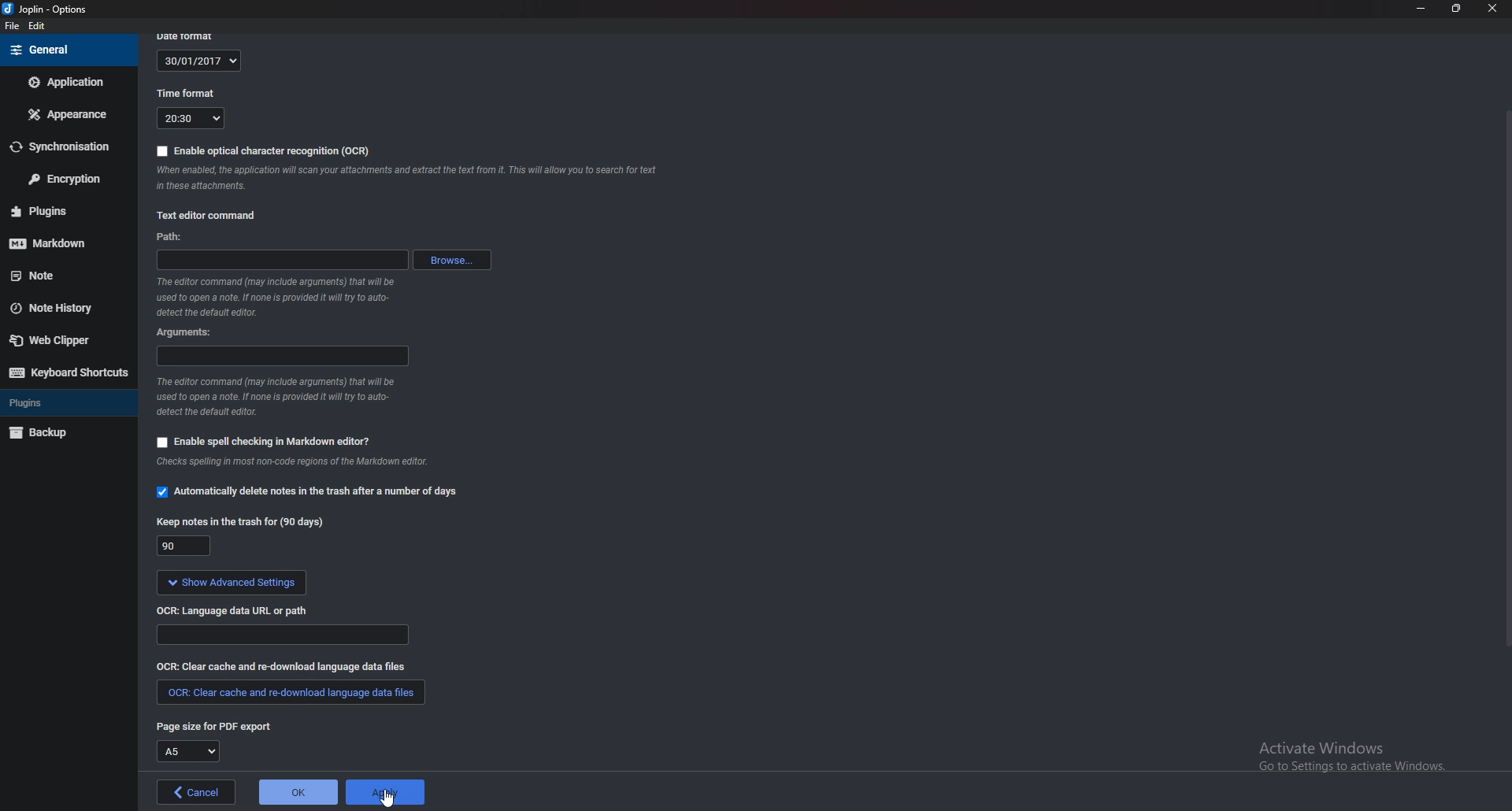 The height and width of the screenshot is (811, 1512). I want to click on cancel, so click(195, 792).